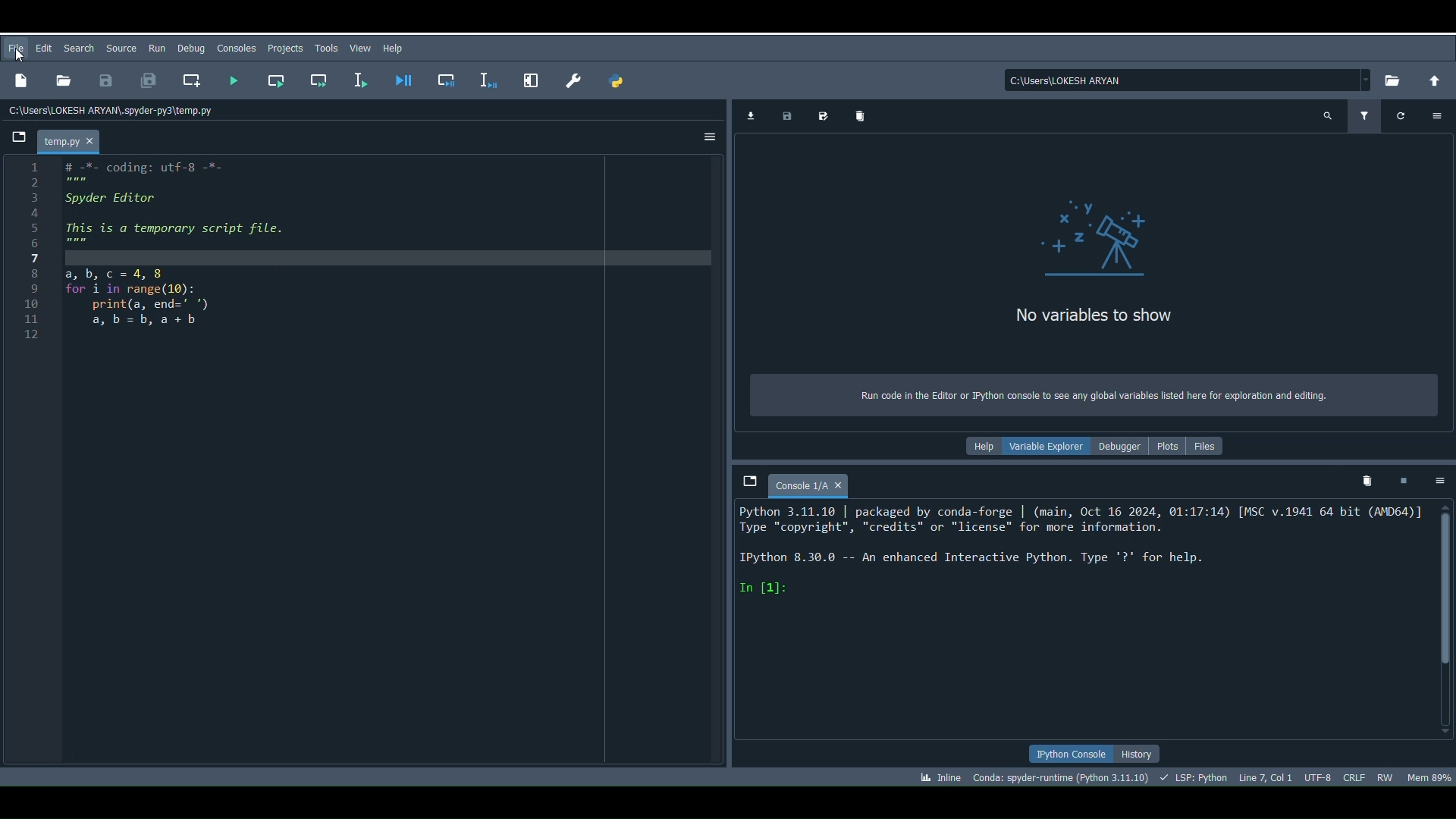 This screenshot has height=819, width=1456. What do you see at coordinates (324, 50) in the screenshot?
I see `Tools` at bounding box center [324, 50].